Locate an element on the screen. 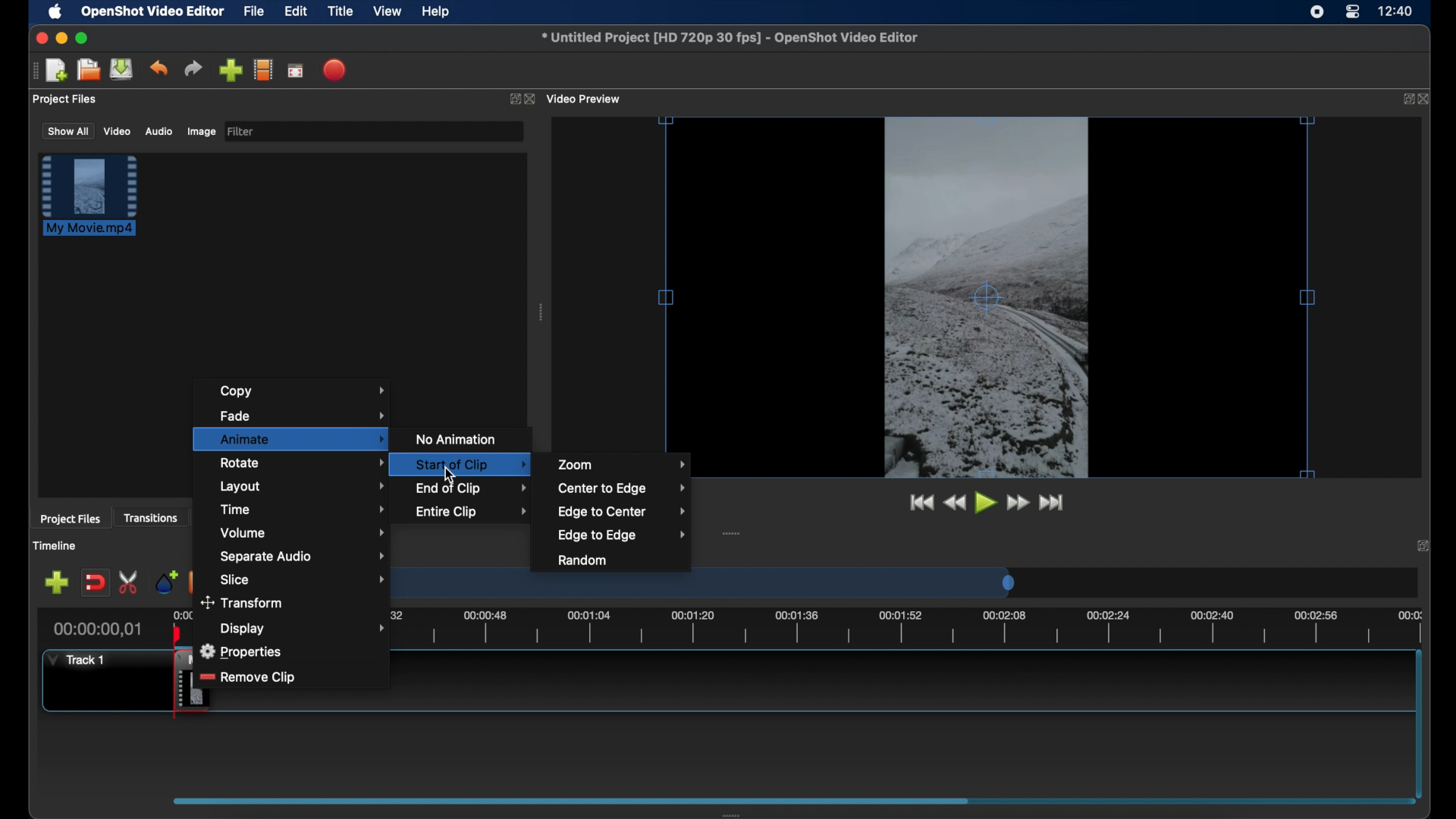  time menu is located at coordinates (303, 509).